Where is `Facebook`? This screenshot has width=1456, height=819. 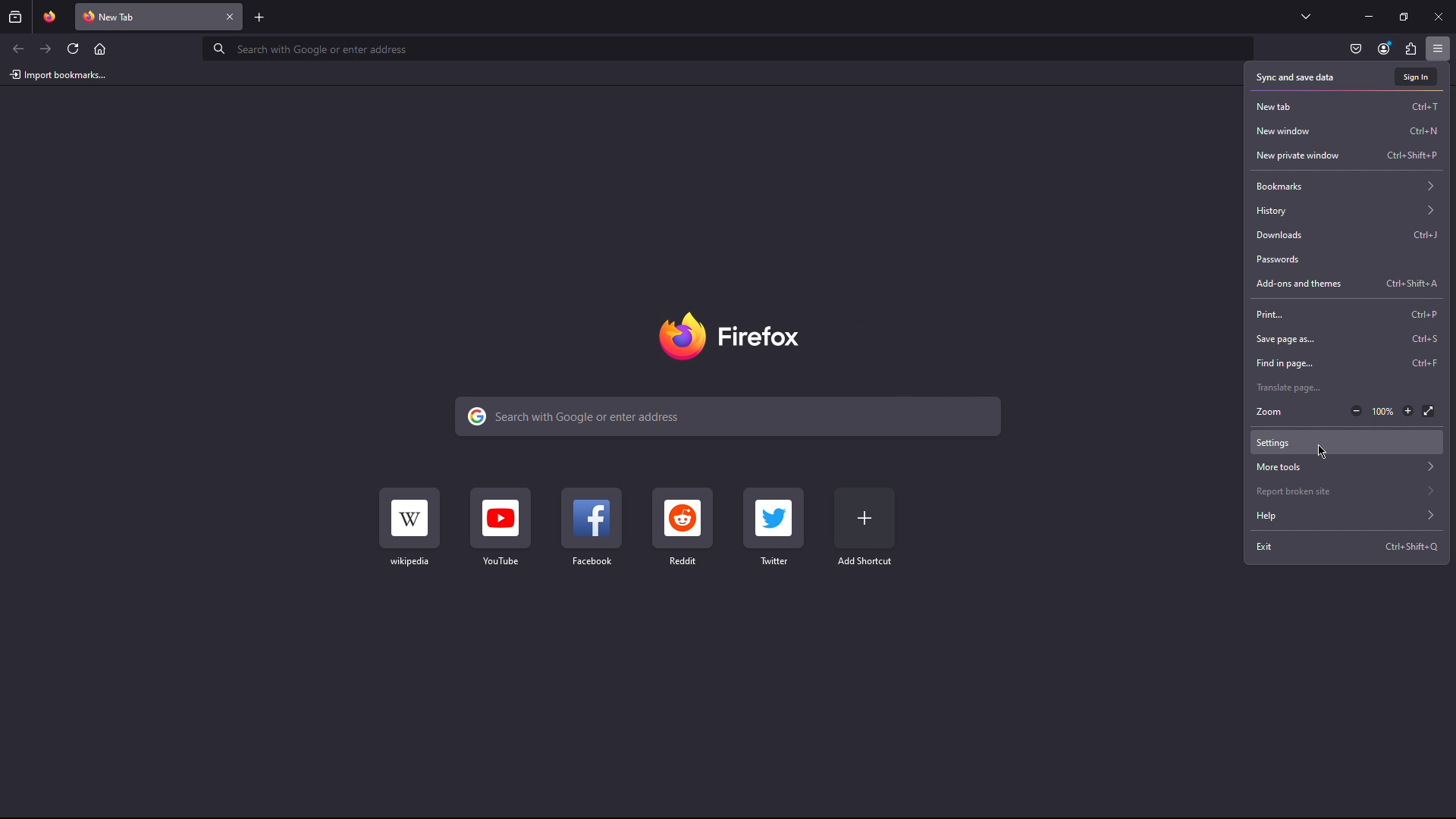
Facebook is located at coordinates (591, 527).